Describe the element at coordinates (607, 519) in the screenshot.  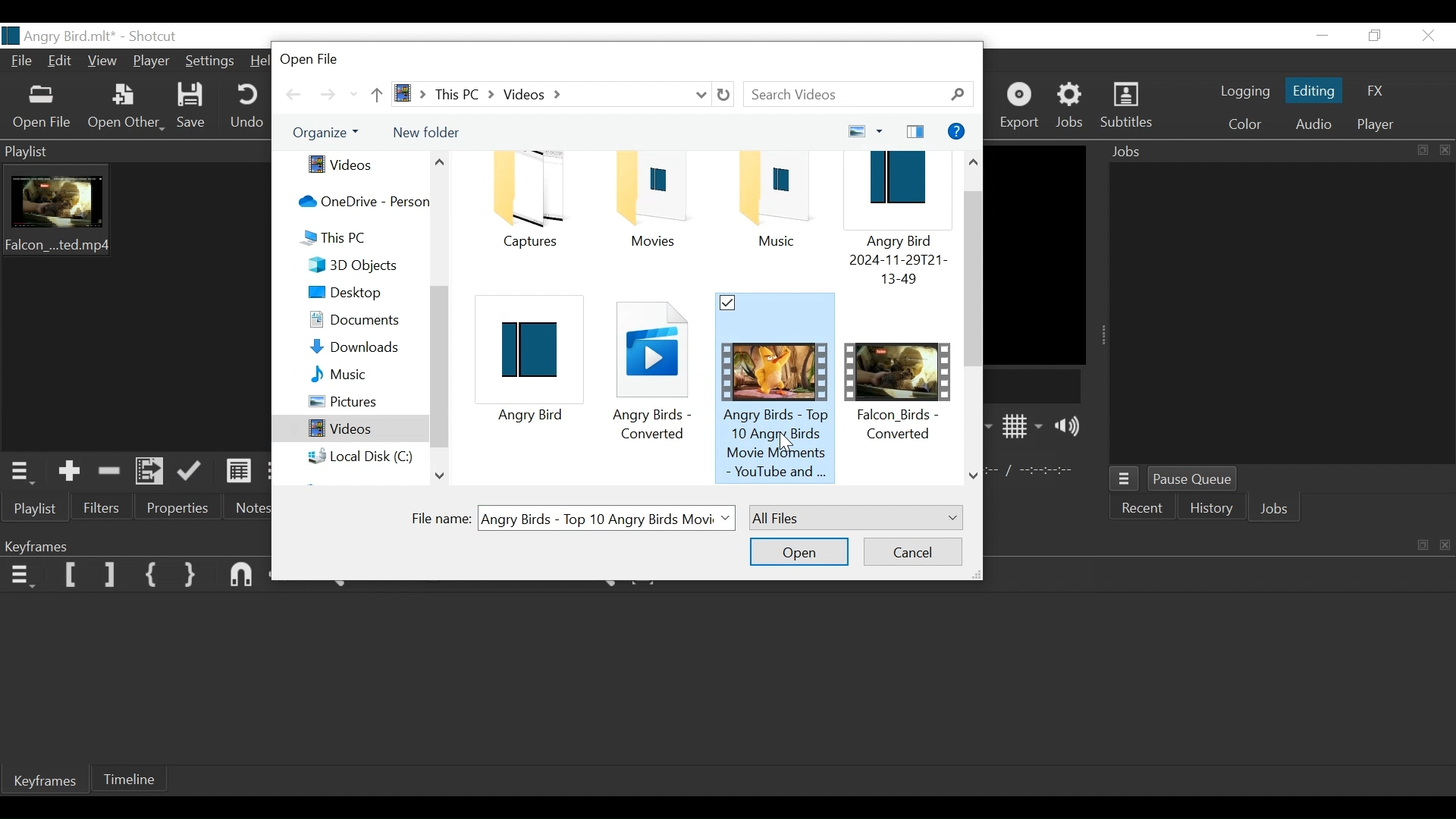
I see `Select File Nmae` at that location.